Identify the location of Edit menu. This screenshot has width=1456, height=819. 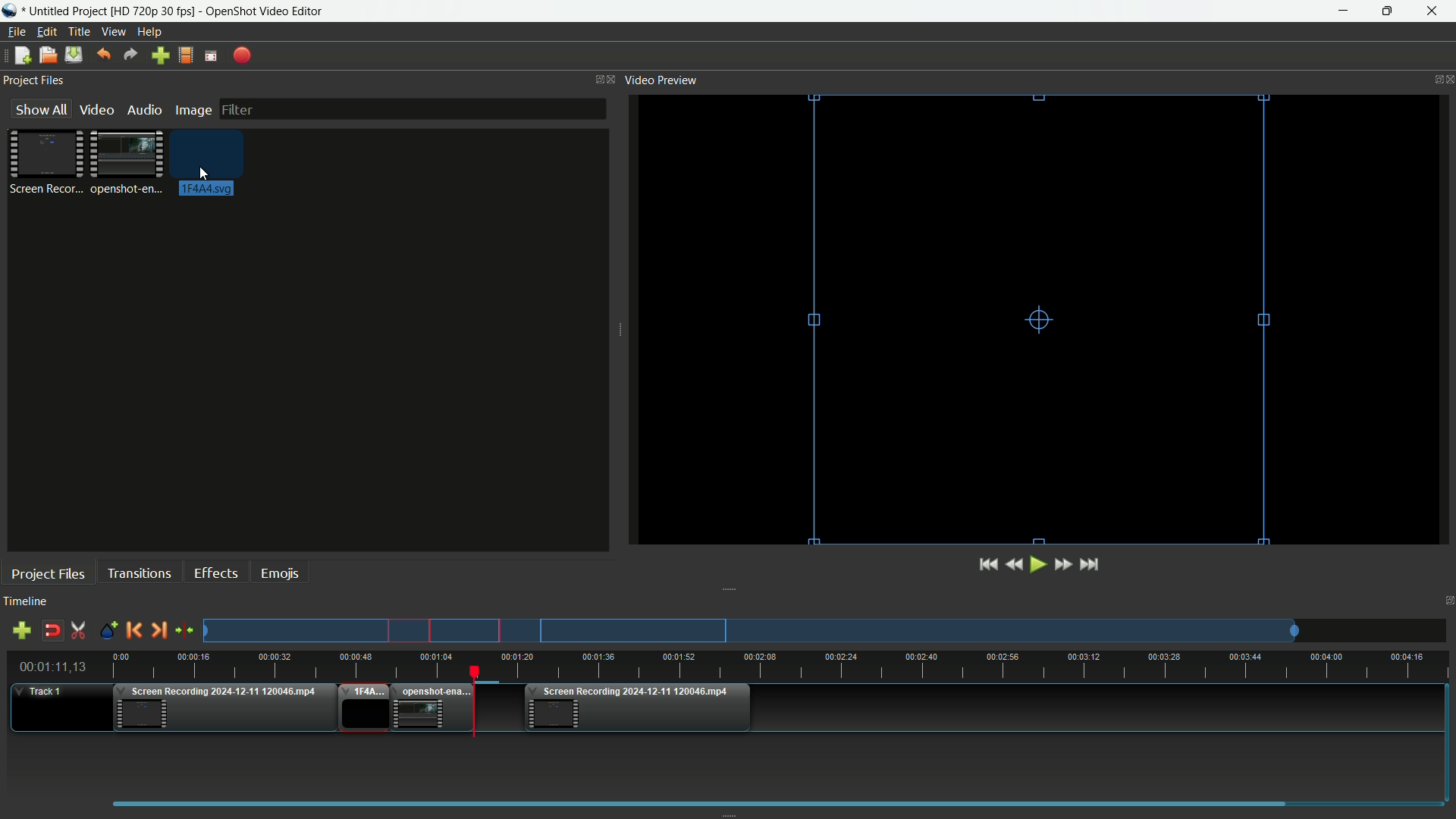
(44, 32).